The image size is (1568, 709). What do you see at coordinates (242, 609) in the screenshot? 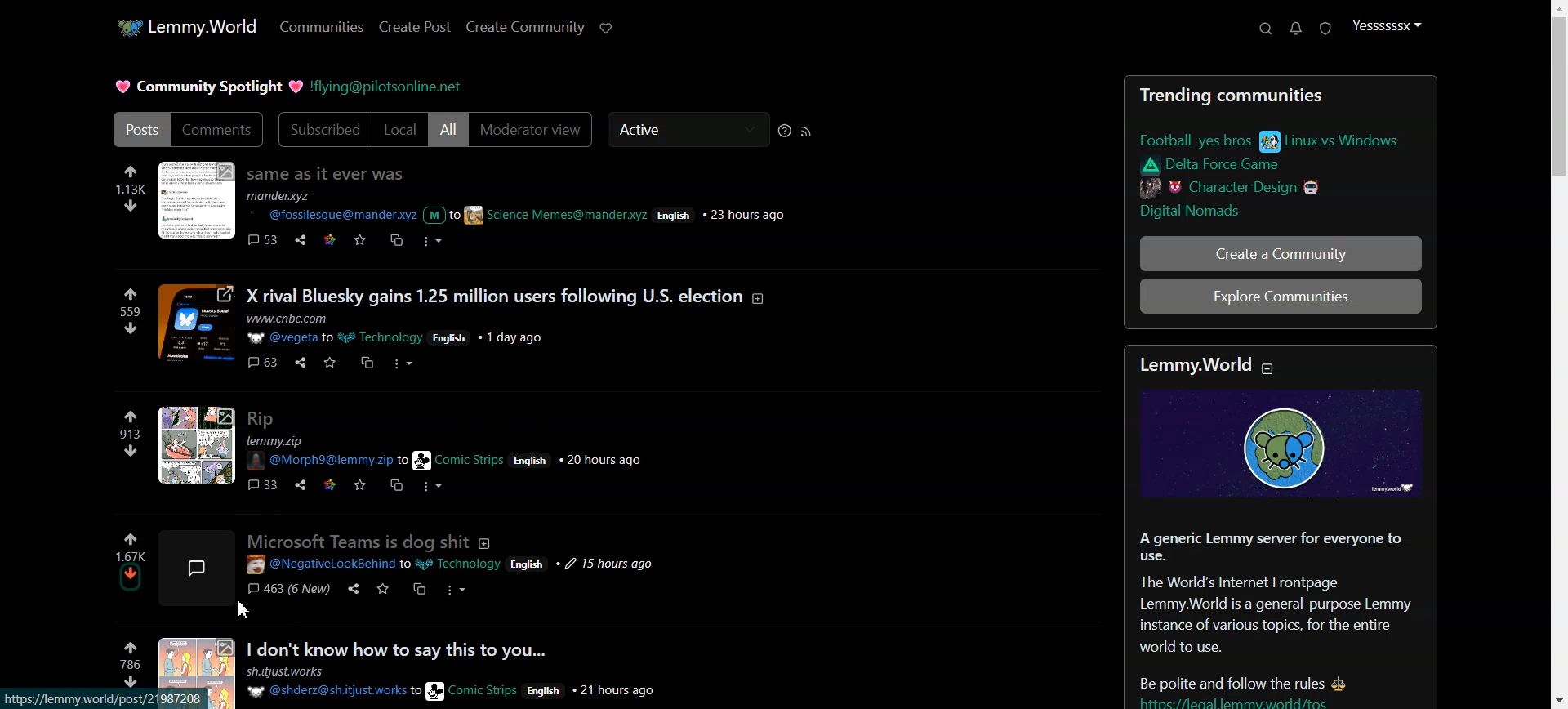
I see `Cursor` at bounding box center [242, 609].